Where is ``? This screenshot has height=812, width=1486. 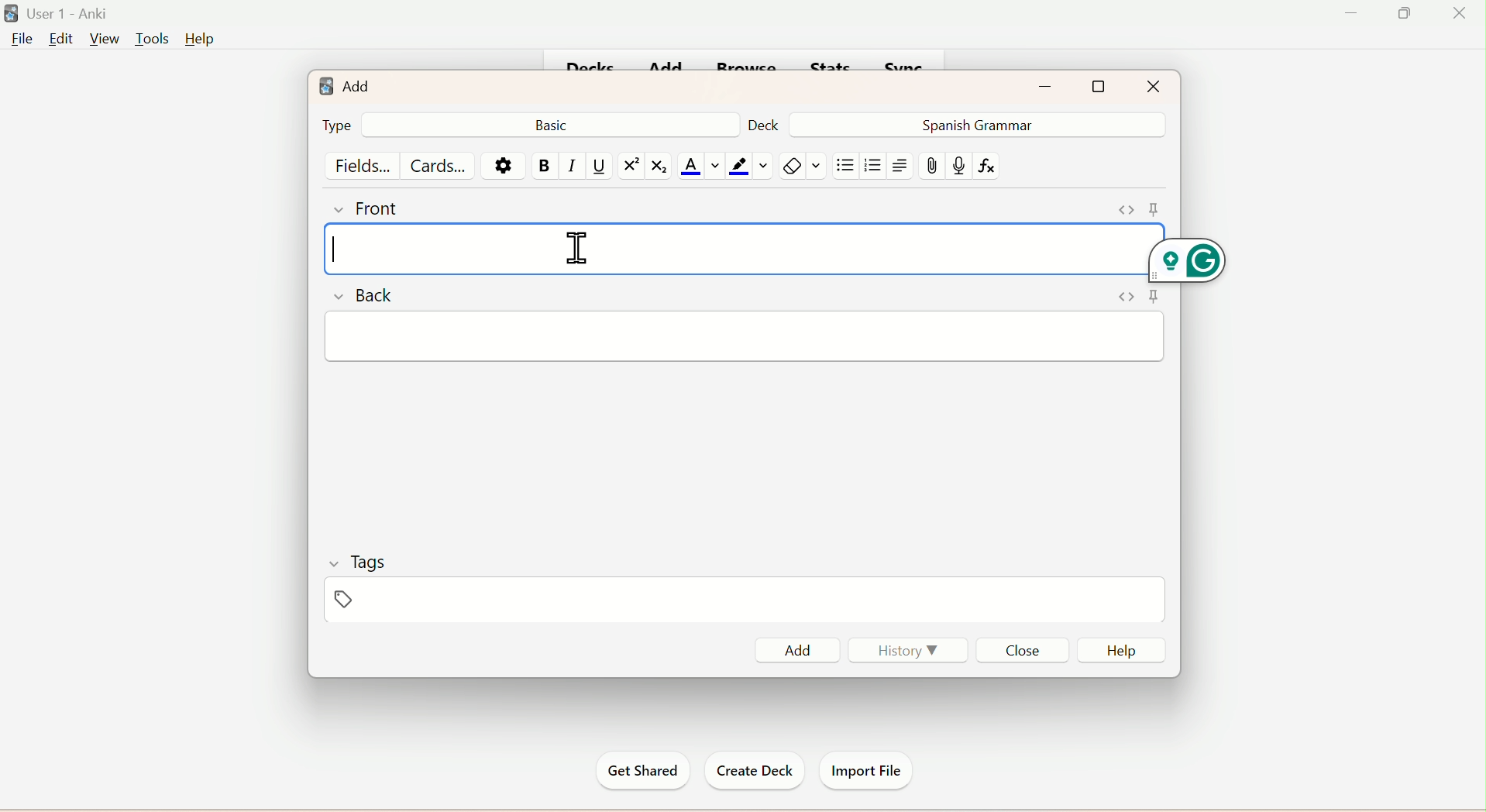  is located at coordinates (365, 295).